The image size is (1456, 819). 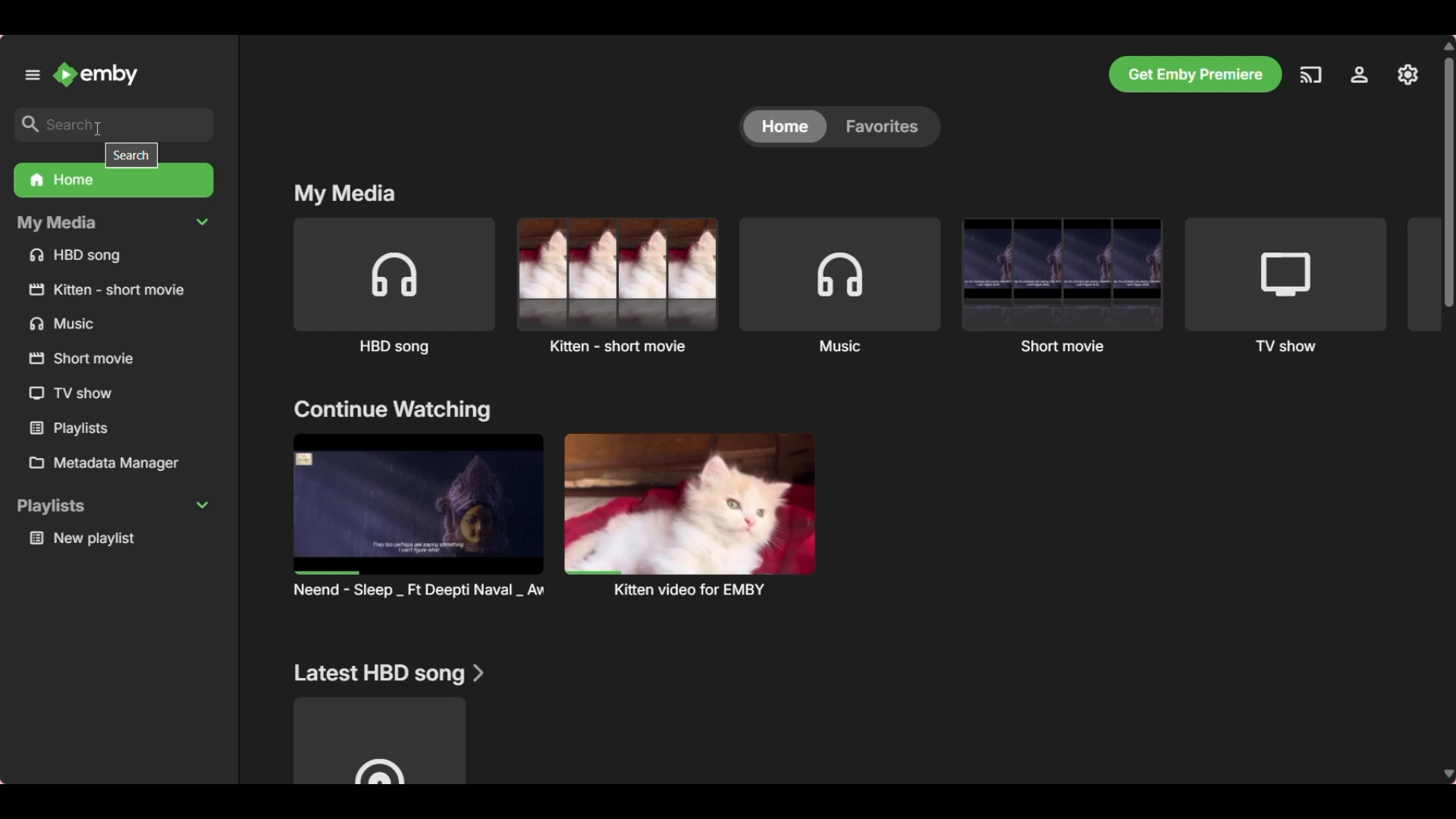 What do you see at coordinates (841, 284) in the screenshot?
I see `Music` at bounding box center [841, 284].